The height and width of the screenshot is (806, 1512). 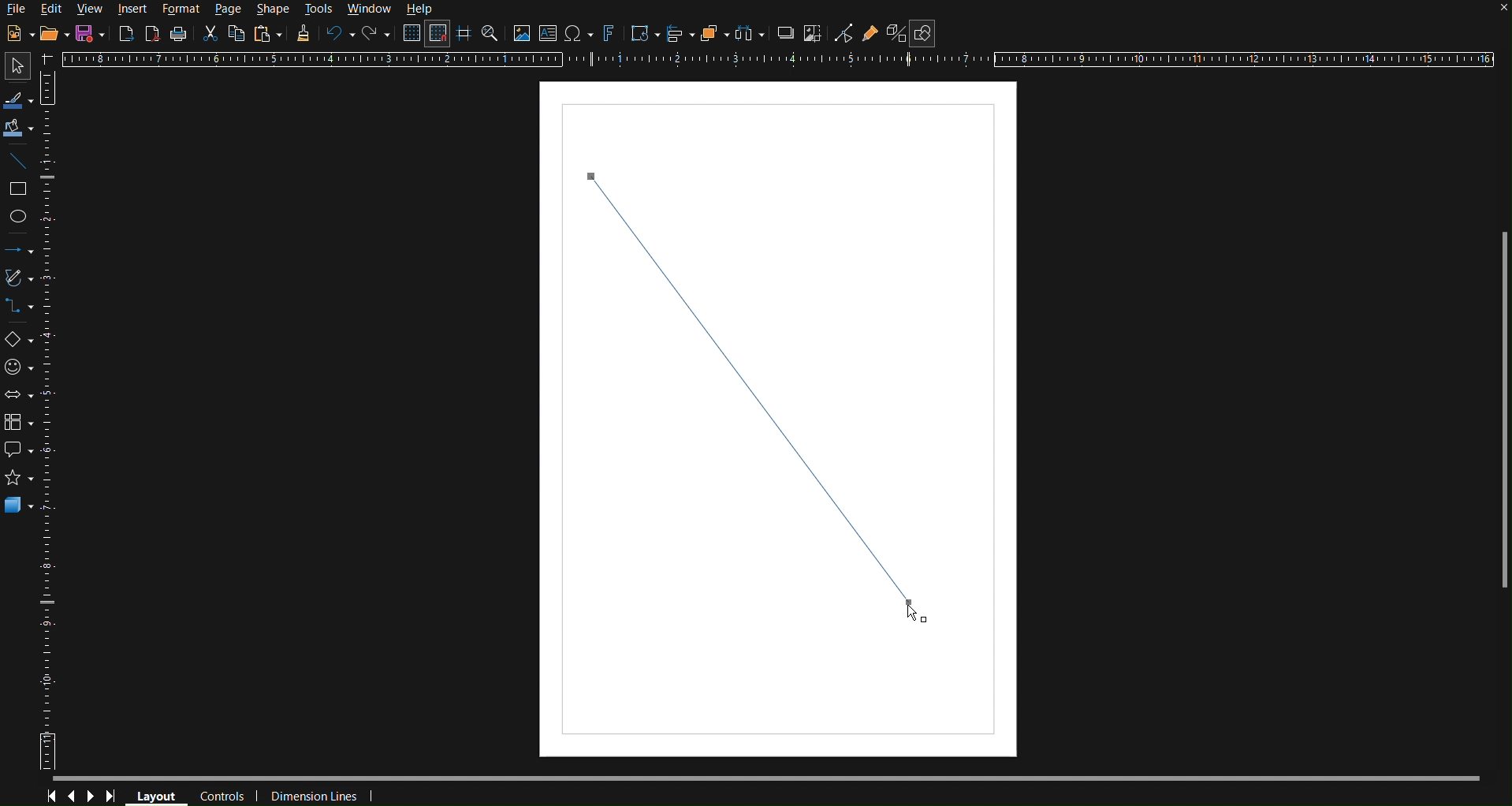 What do you see at coordinates (319, 10) in the screenshot?
I see `Tools` at bounding box center [319, 10].